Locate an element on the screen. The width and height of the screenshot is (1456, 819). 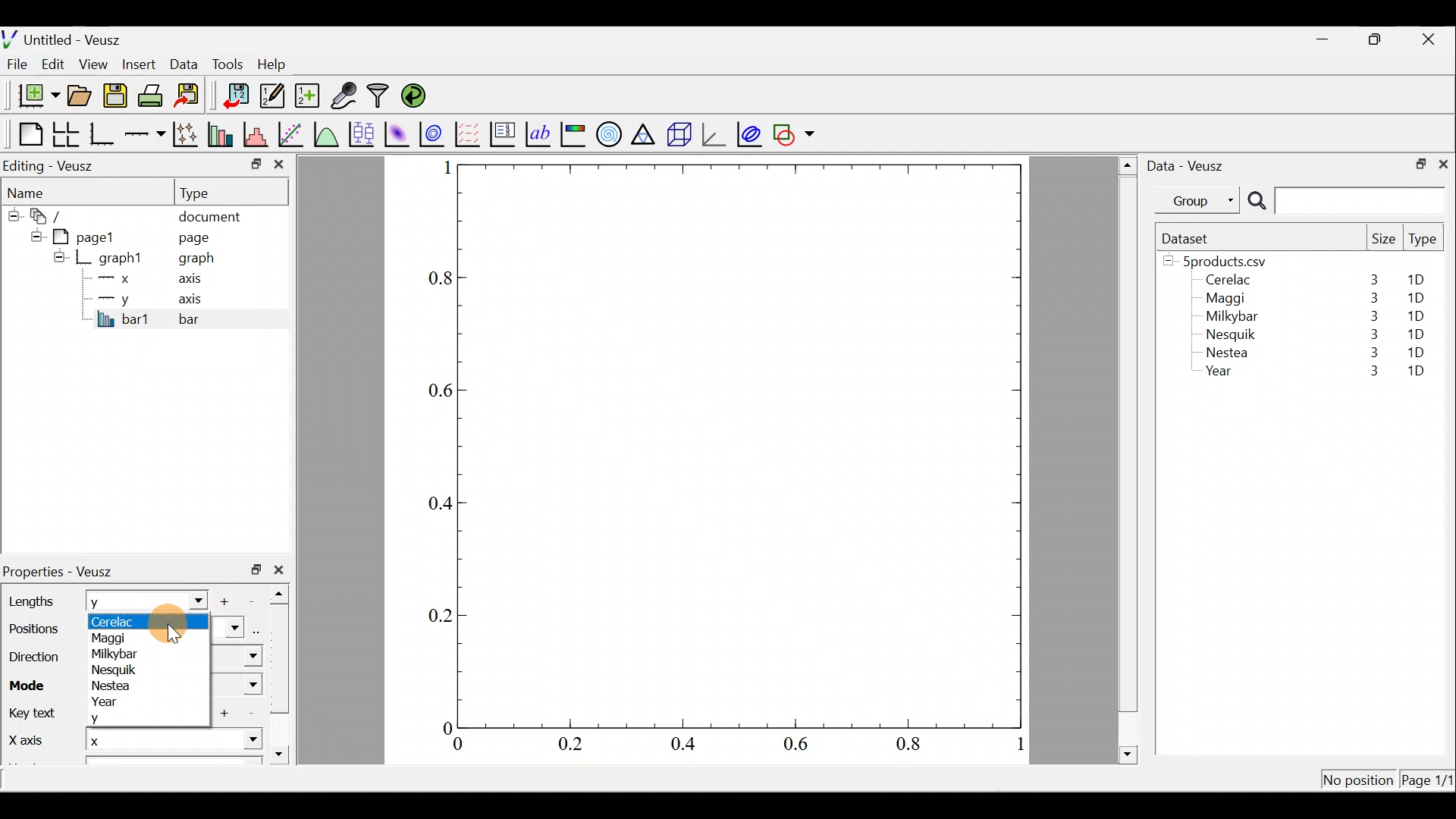
Remove item is located at coordinates (251, 714).